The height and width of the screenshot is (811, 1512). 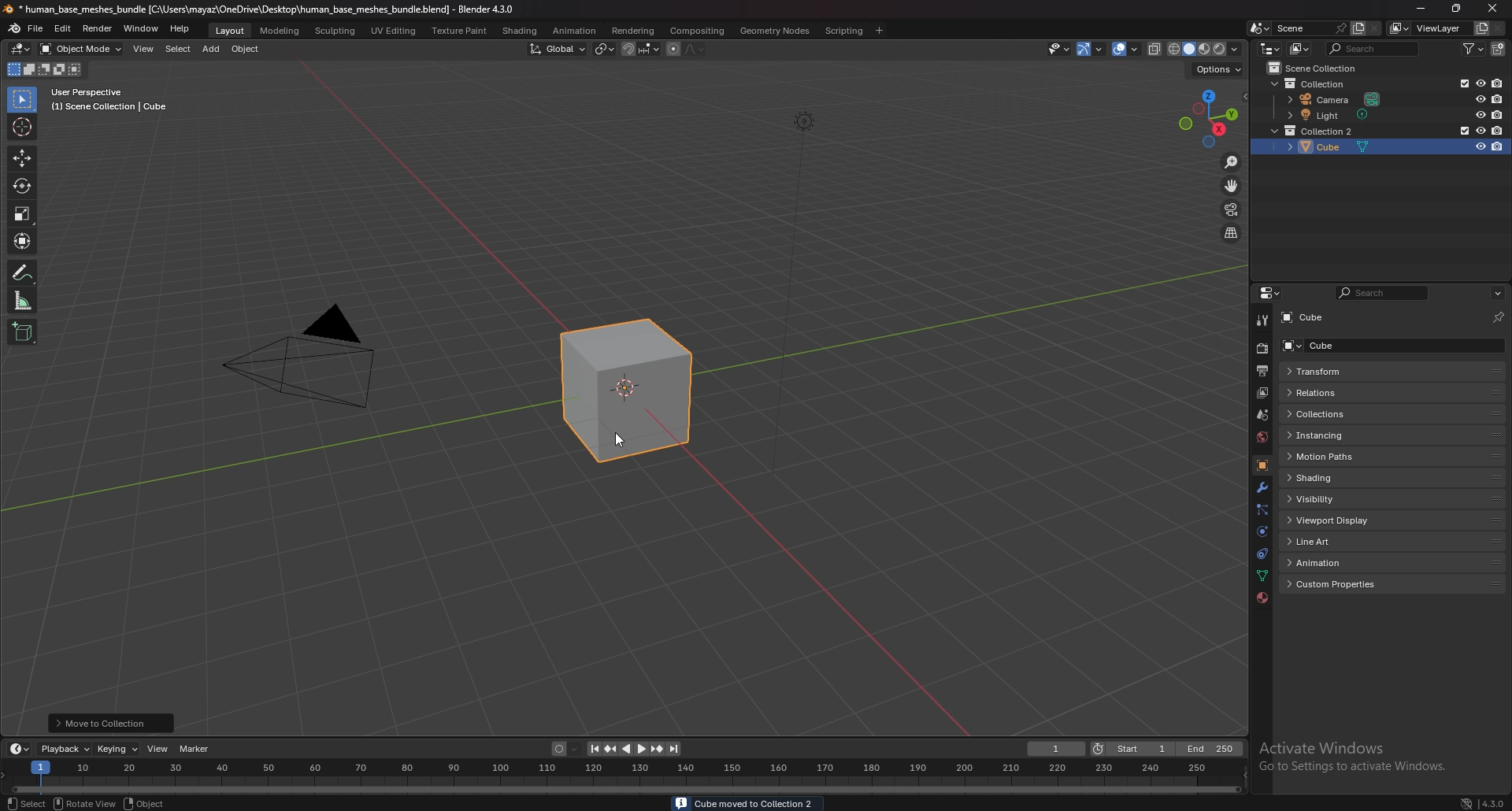 What do you see at coordinates (593, 749) in the screenshot?
I see `jump to endpoint` at bounding box center [593, 749].